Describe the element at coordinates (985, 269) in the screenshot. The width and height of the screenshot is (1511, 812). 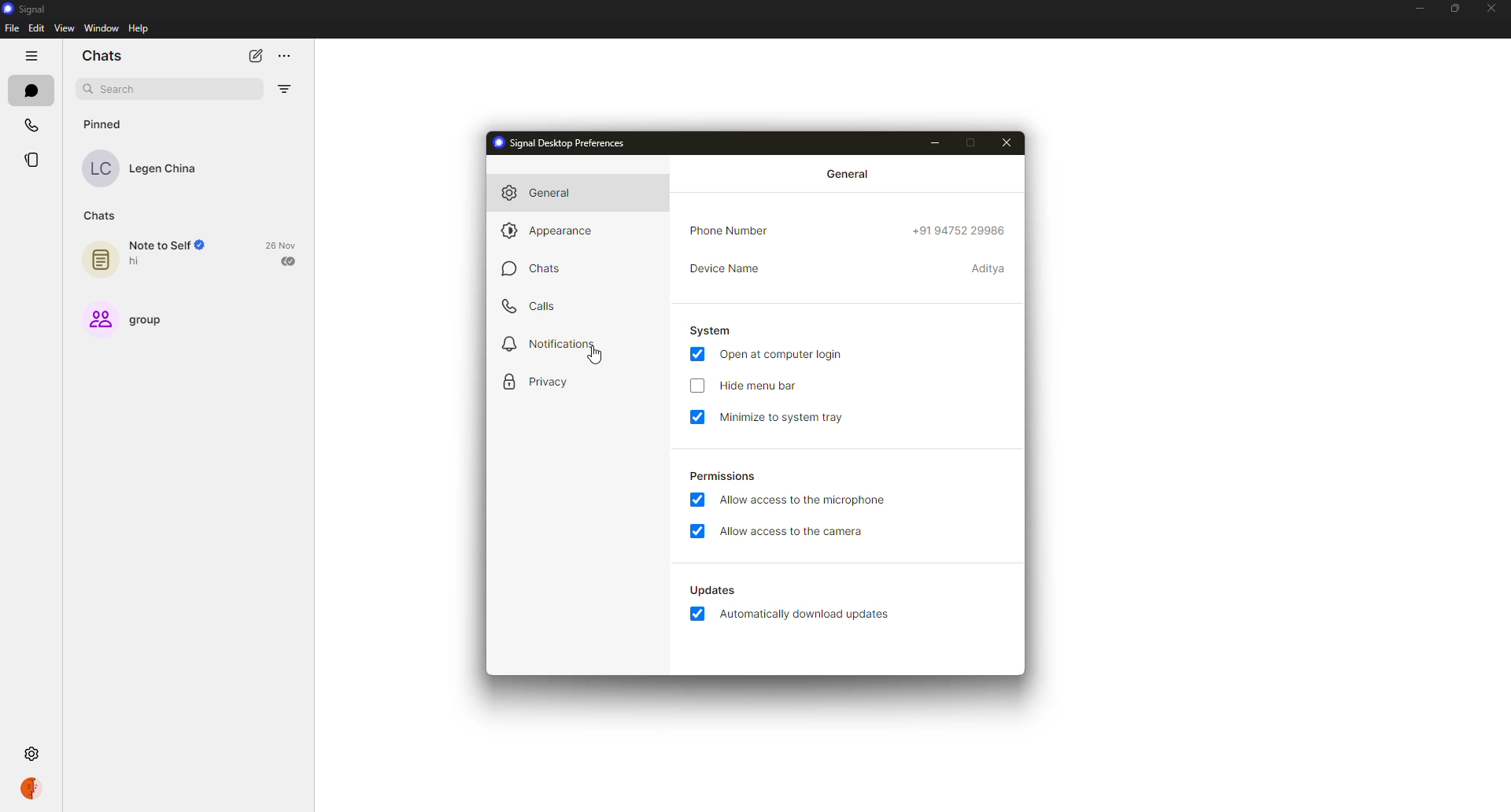
I see `Aditya` at that location.